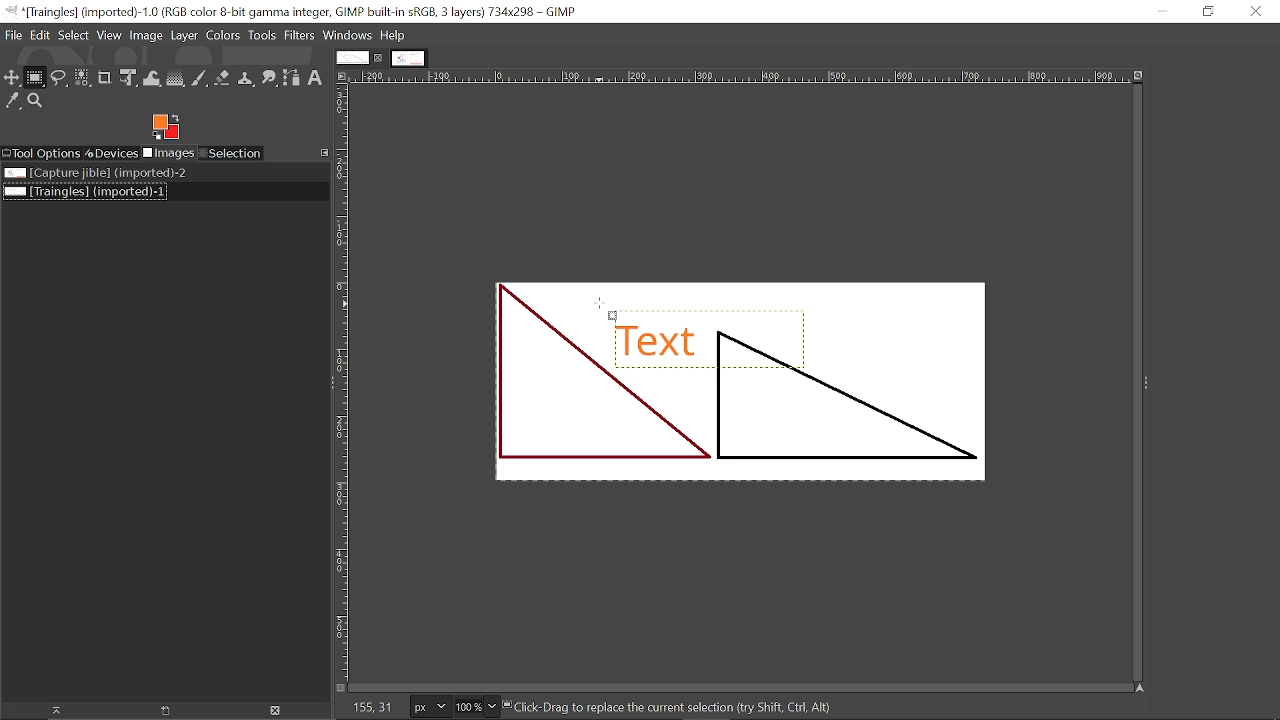 This screenshot has height=720, width=1280. Describe the element at coordinates (262, 37) in the screenshot. I see `Tools` at that location.